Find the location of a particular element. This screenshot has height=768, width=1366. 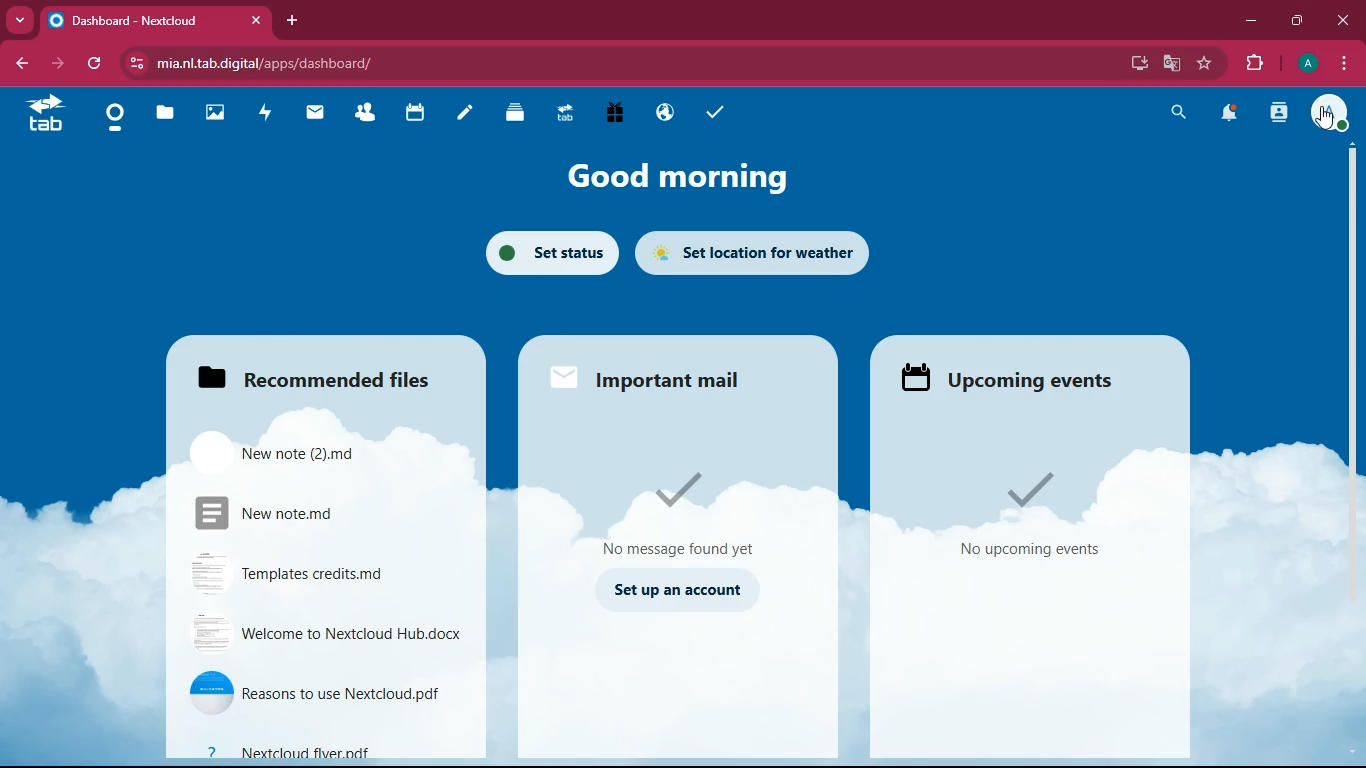

google translate is located at coordinates (1172, 63).